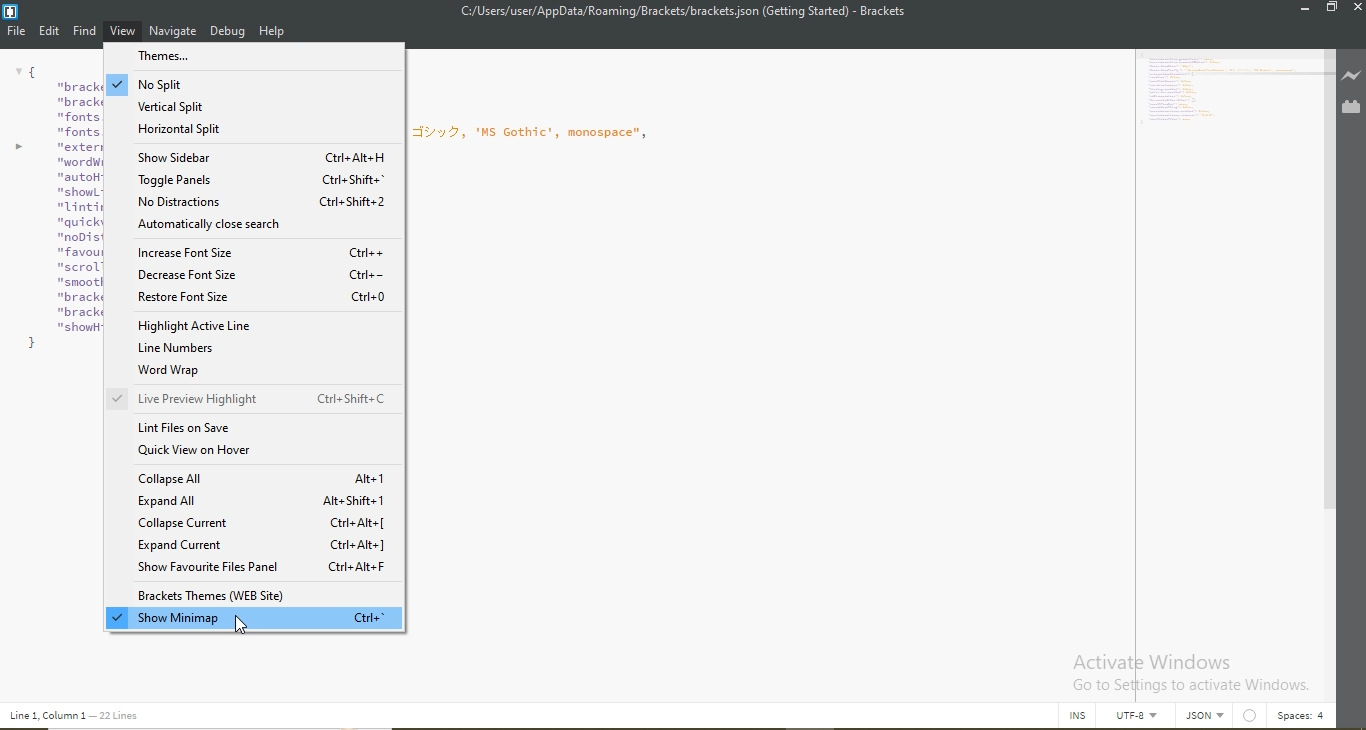 Image resolution: width=1366 pixels, height=730 pixels. What do you see at coordinates (267, 524) in the screenshot?
I see `collapse current` at bounding box center [267, 524].